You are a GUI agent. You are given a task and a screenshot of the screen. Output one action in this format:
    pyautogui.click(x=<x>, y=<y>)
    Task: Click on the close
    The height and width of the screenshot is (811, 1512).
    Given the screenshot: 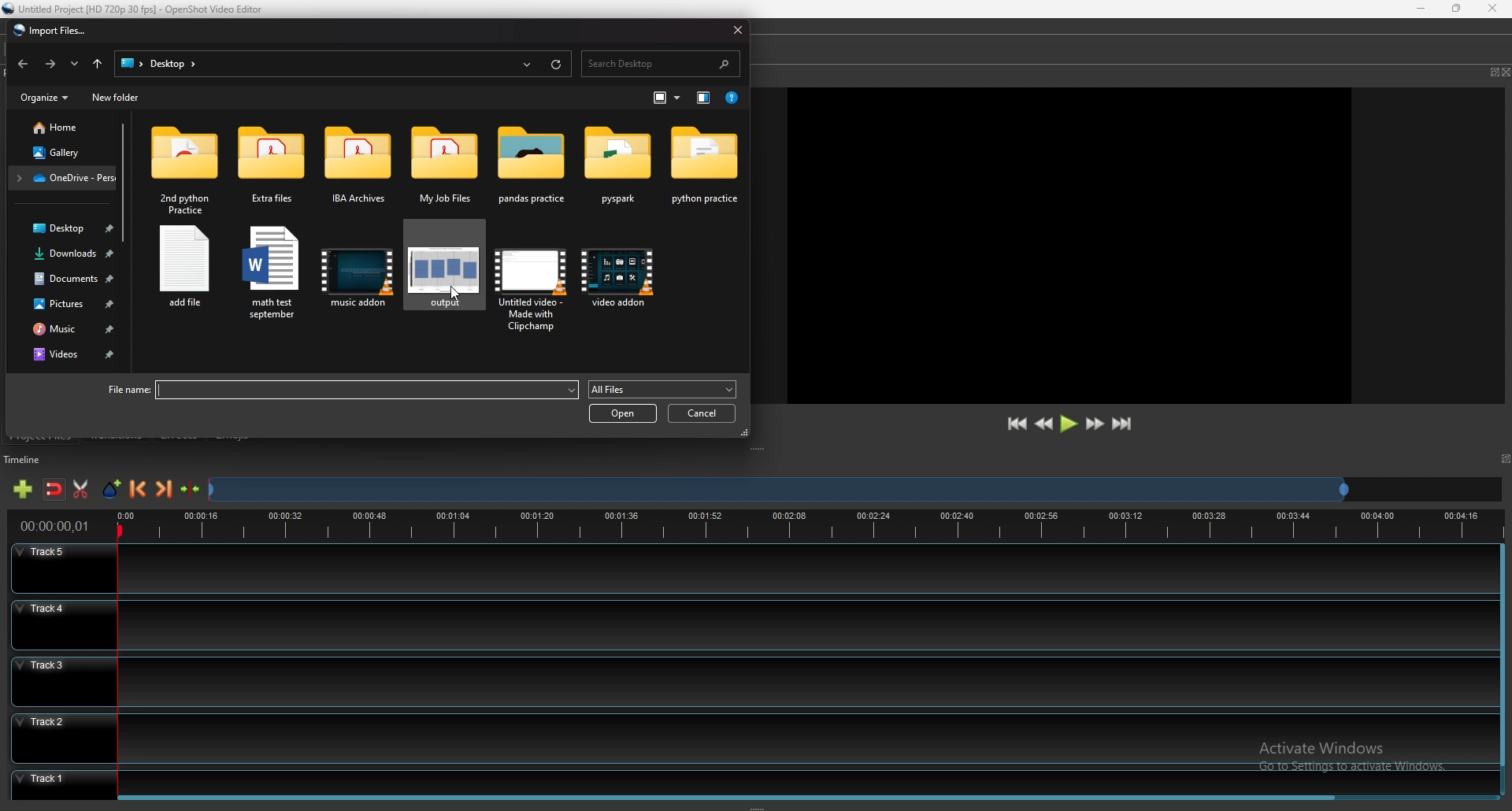 What is the action you would take?
    pyautogui.click(x=738, y=28)
    